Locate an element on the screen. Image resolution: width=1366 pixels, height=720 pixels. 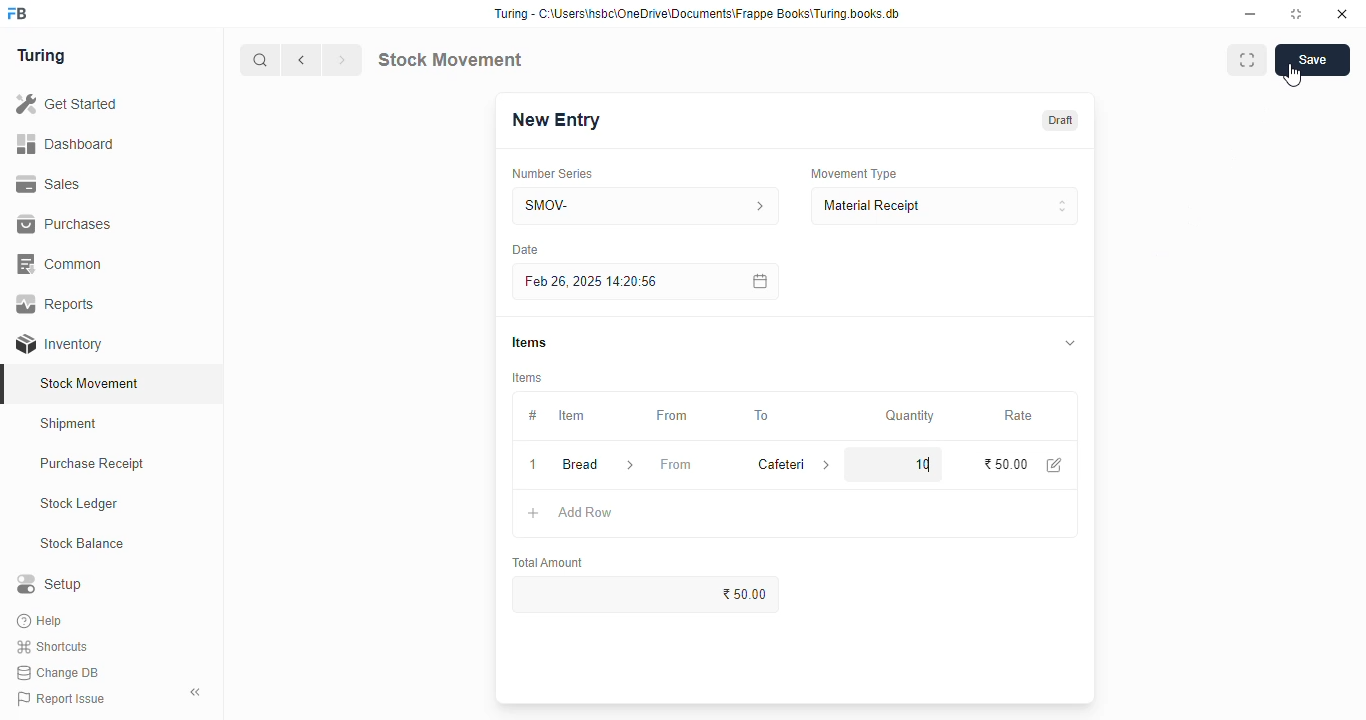
Turing - C:\Users\nsbc\OneDrive\Documents\Frappe Books\Turing books.db is located at coordinates (698, 14).